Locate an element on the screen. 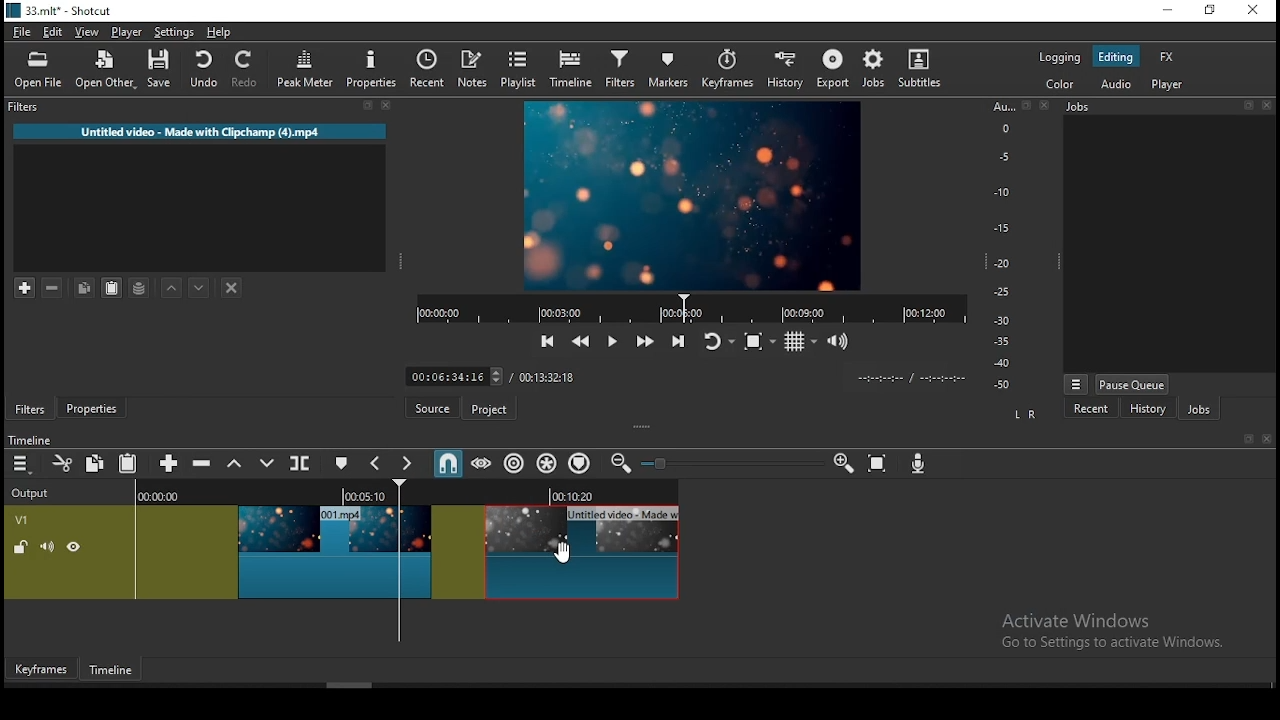 This screenshot has width=1280, height=720. copy selected filter is located at coordinates (83, 287).